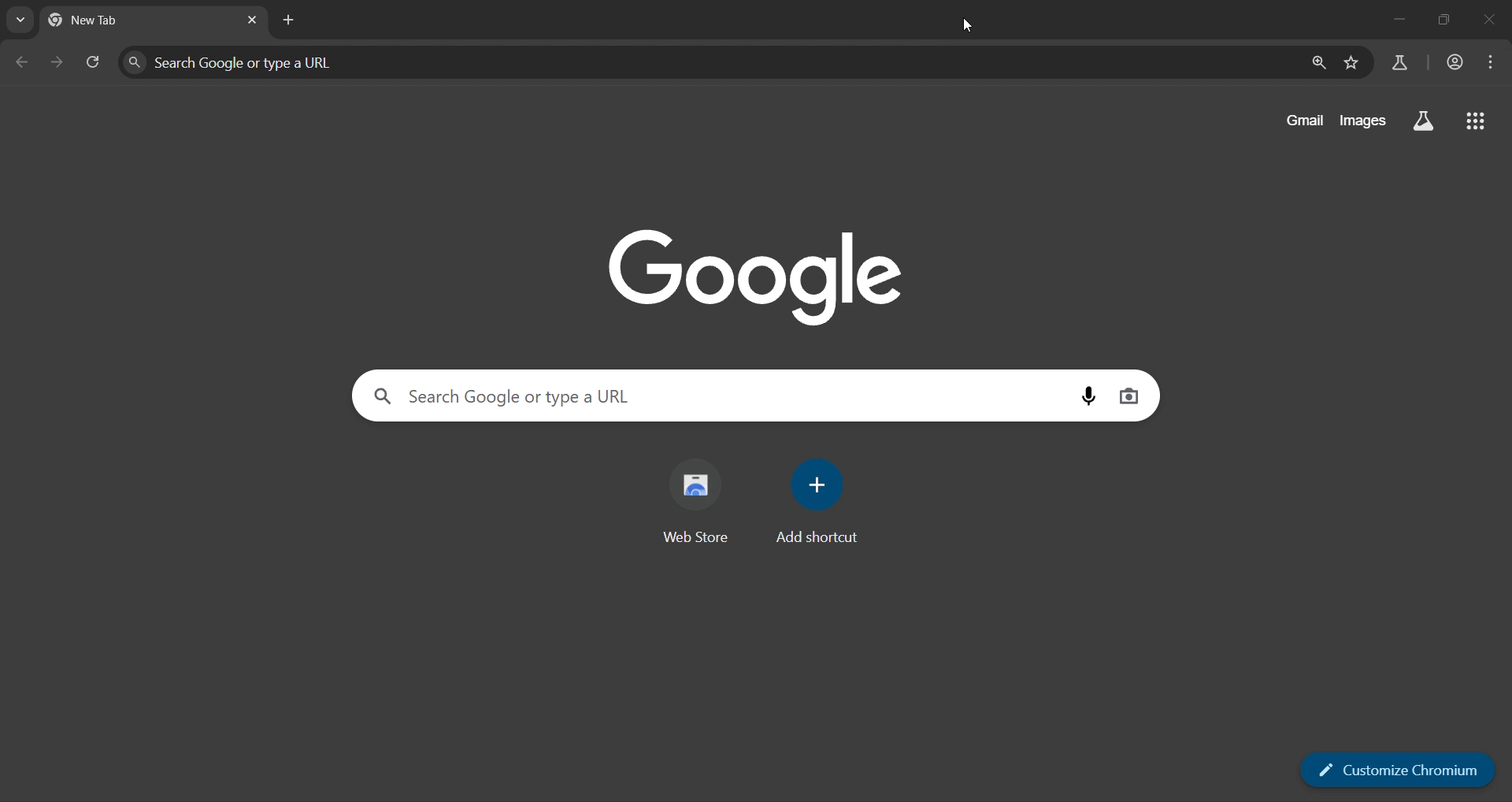 Image resolution: width=1512 pixels, height=802 pixels. I want to click on Google logo, so click(747, 273).